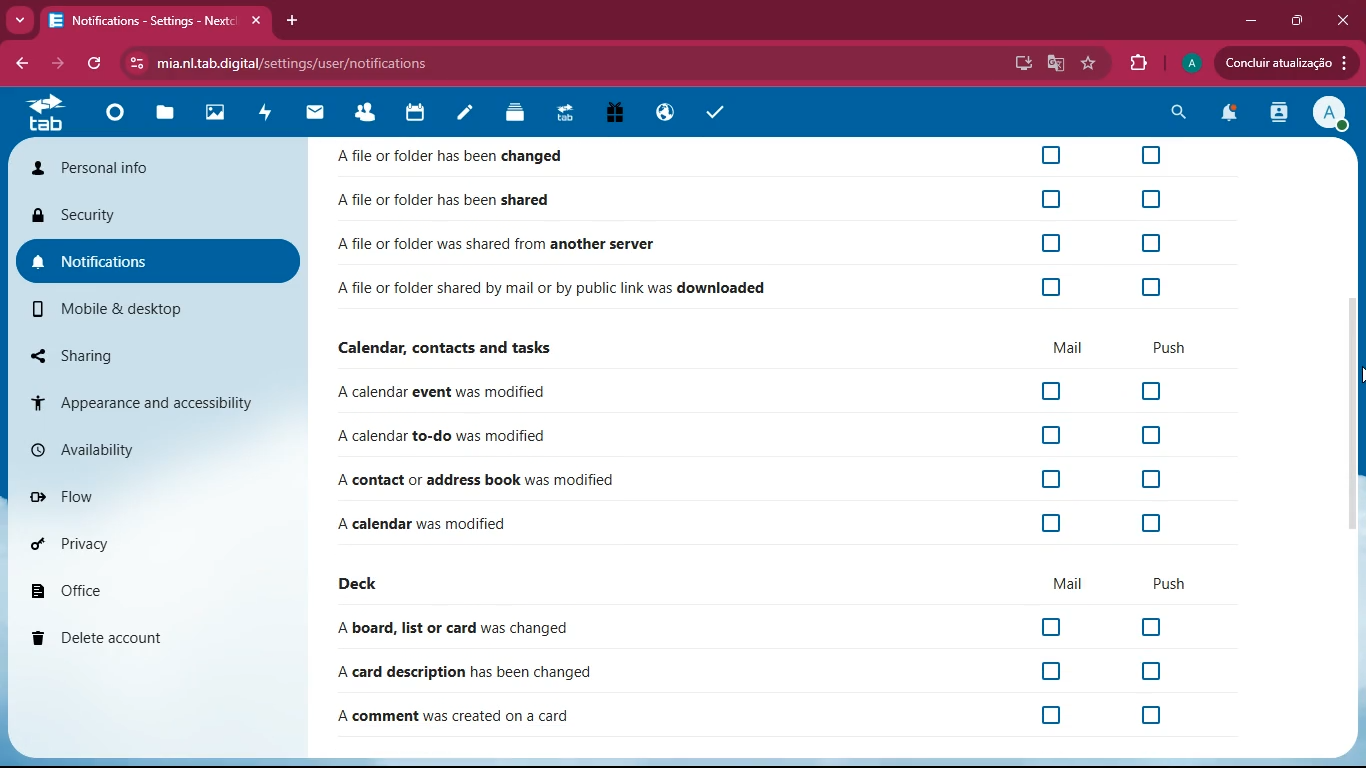 The image size is (1366, 768). What do you see at coordinates (1053, 65) in the screenshot?
I see `google translate` at bounding box center [1053, 65].